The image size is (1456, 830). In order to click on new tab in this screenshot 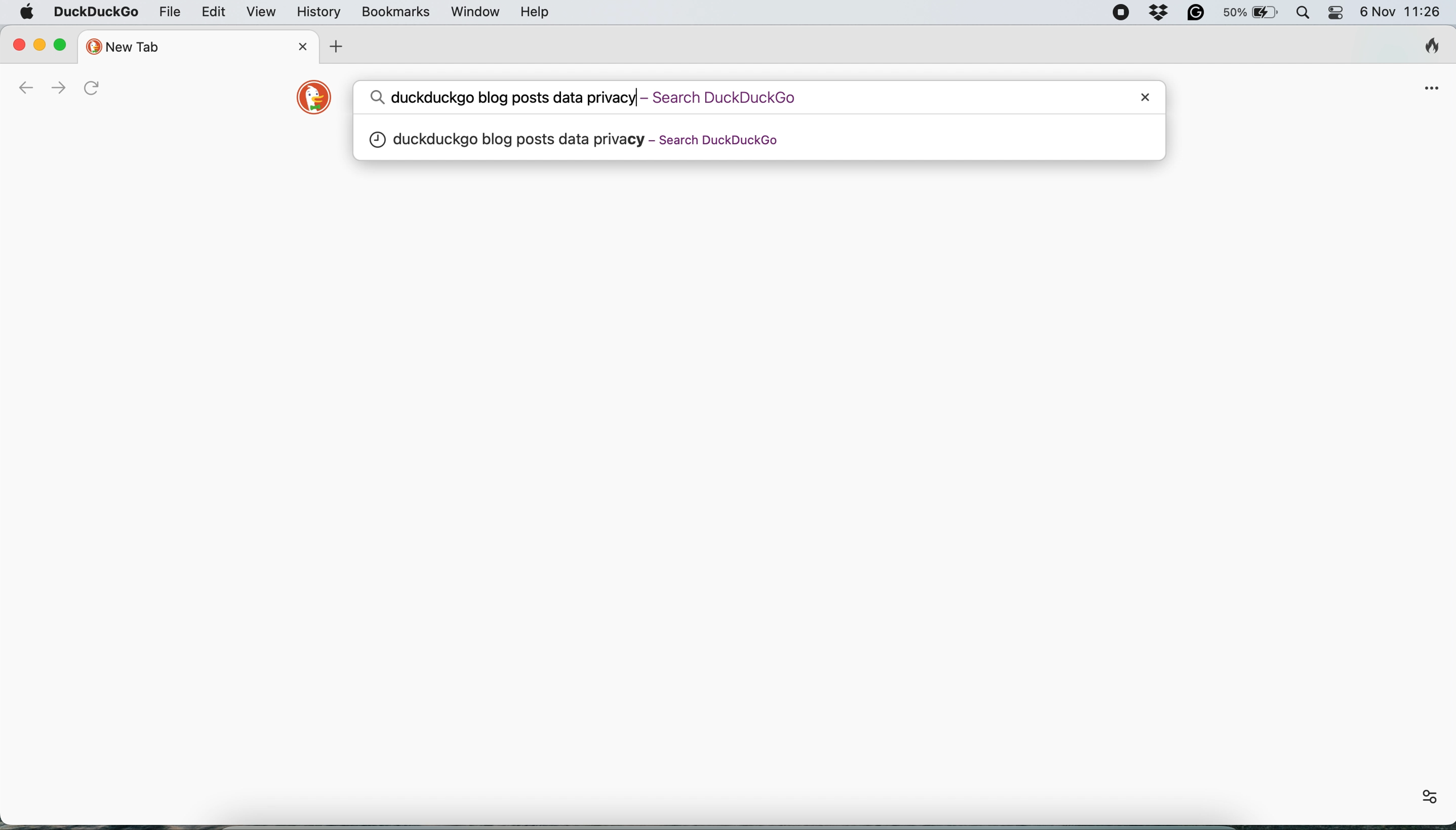, I will do `click(335, 44)`.